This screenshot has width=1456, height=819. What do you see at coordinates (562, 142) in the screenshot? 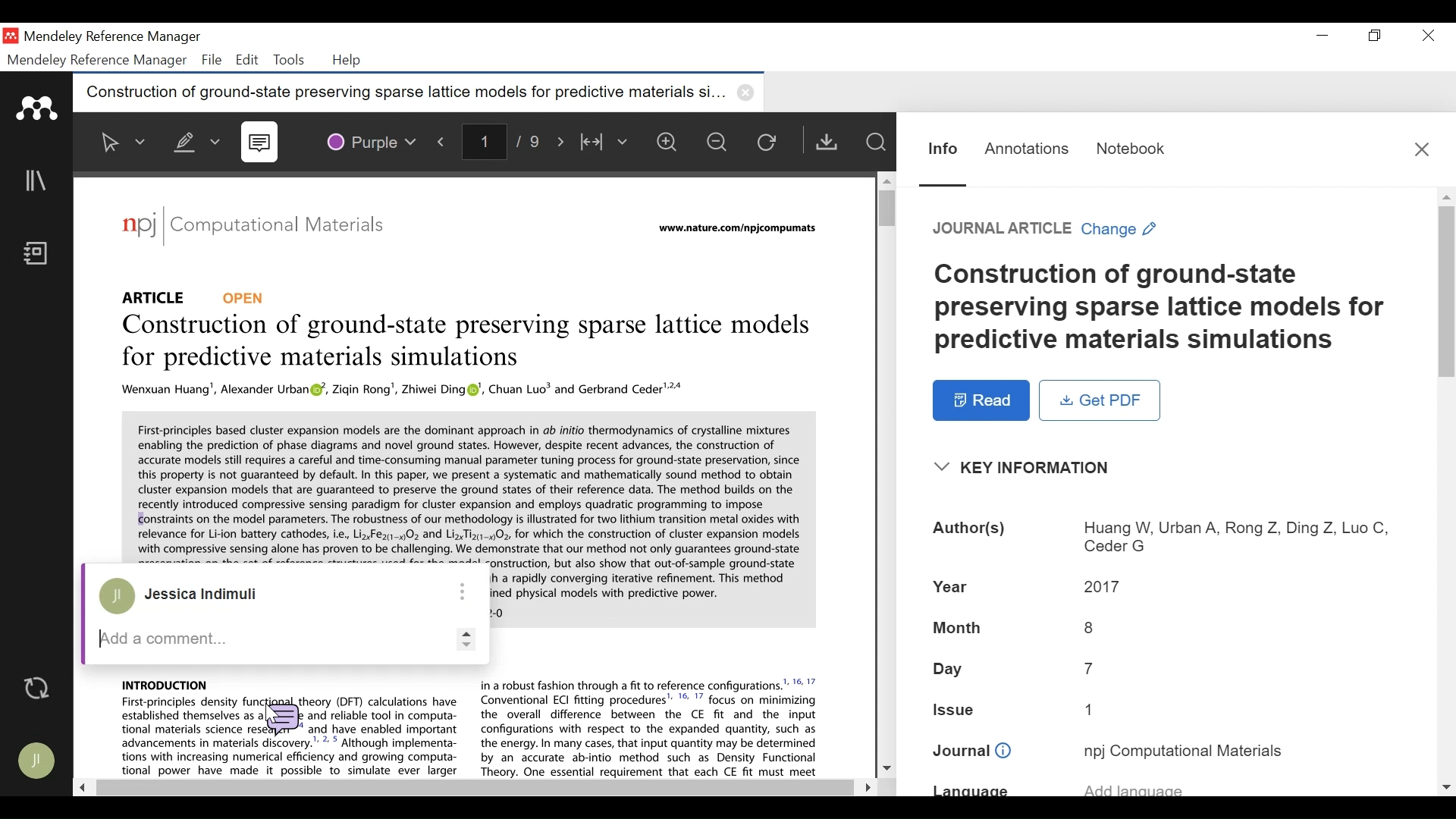
I see `Next Page` at bounding box center [562, 142].